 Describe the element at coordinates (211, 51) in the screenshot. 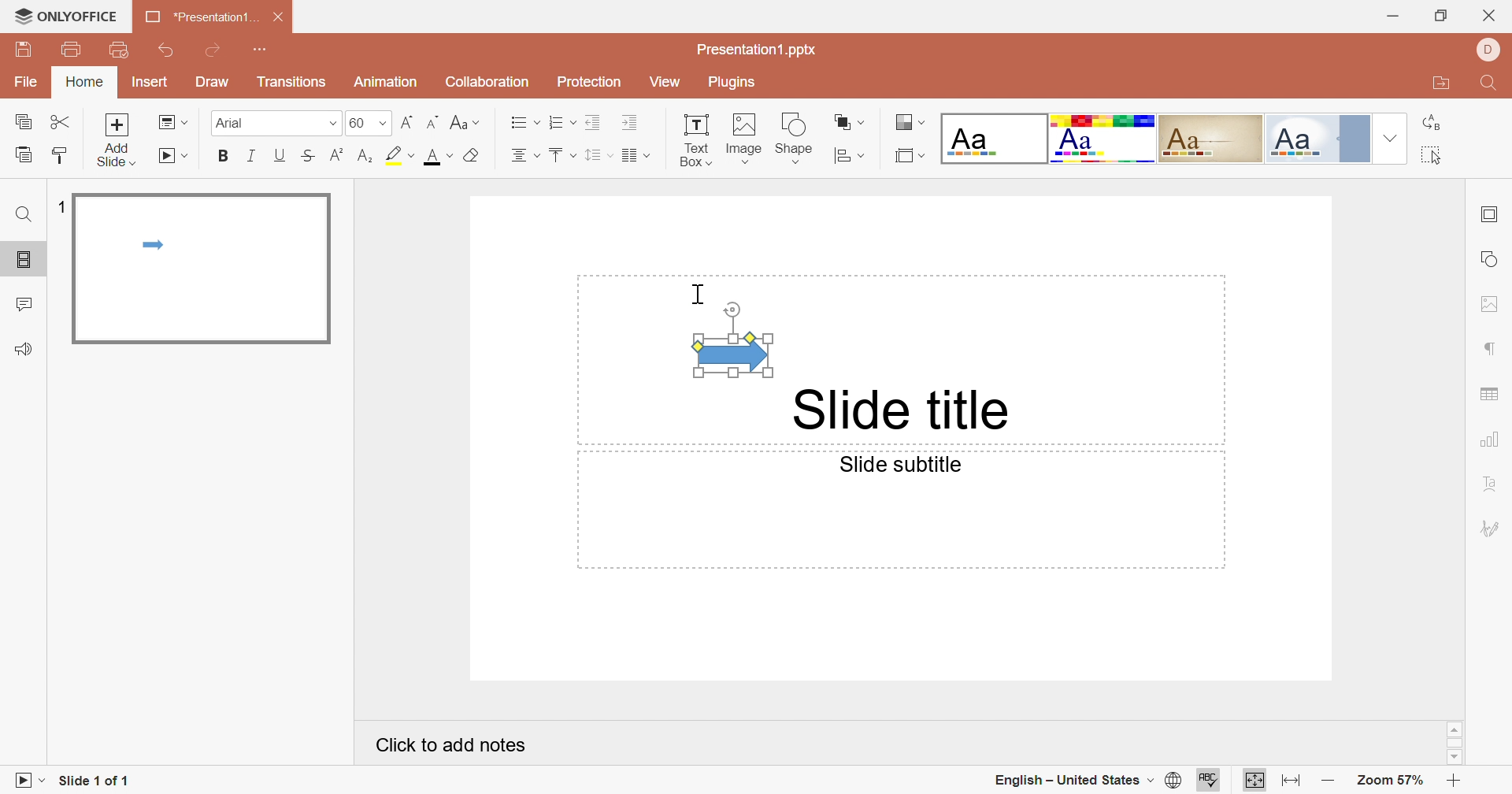

I see `Redo` at that location.